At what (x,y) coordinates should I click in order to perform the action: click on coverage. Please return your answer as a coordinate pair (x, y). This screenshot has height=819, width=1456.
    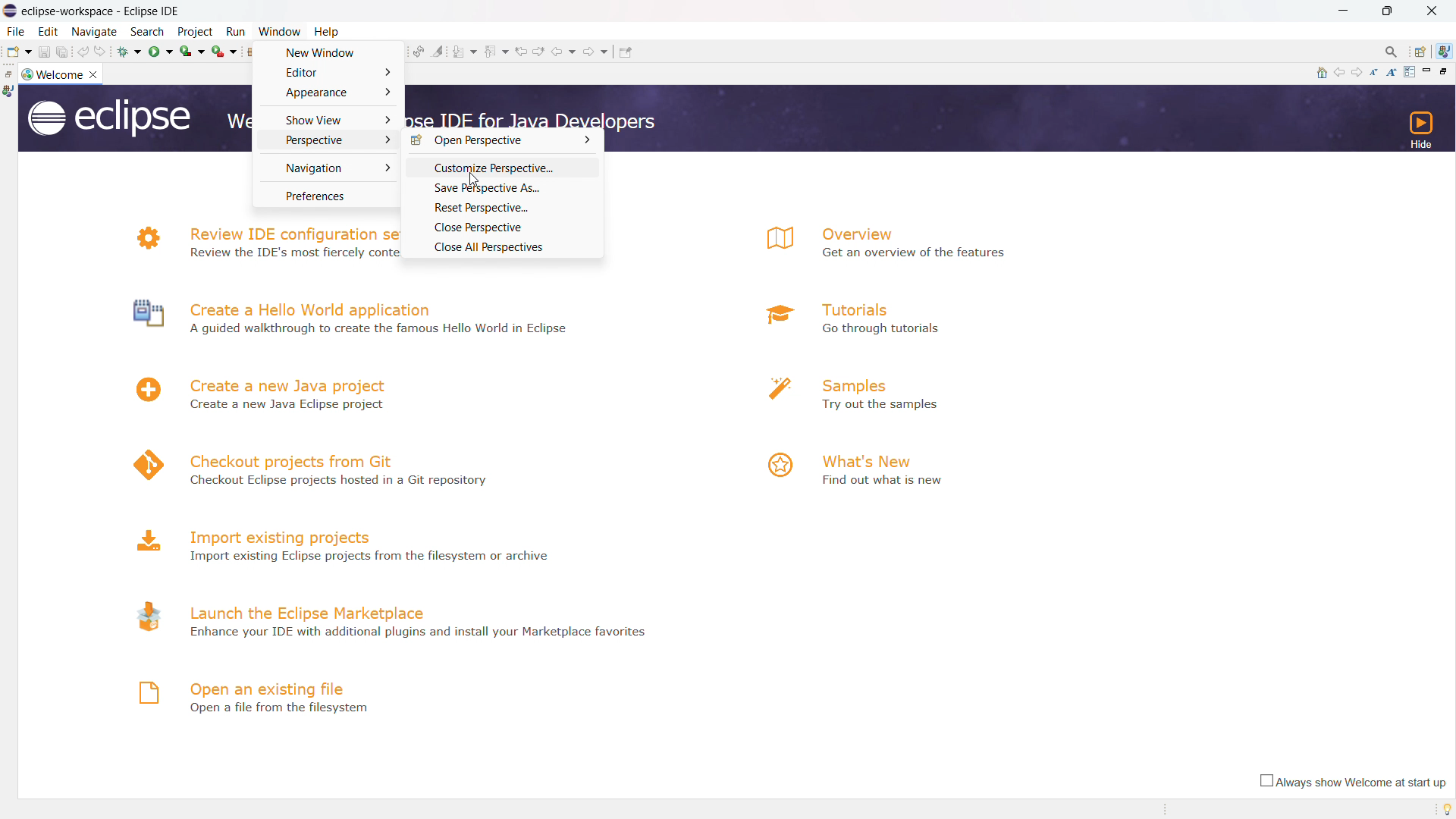
    Looking at the image, I should click on (192, 51).